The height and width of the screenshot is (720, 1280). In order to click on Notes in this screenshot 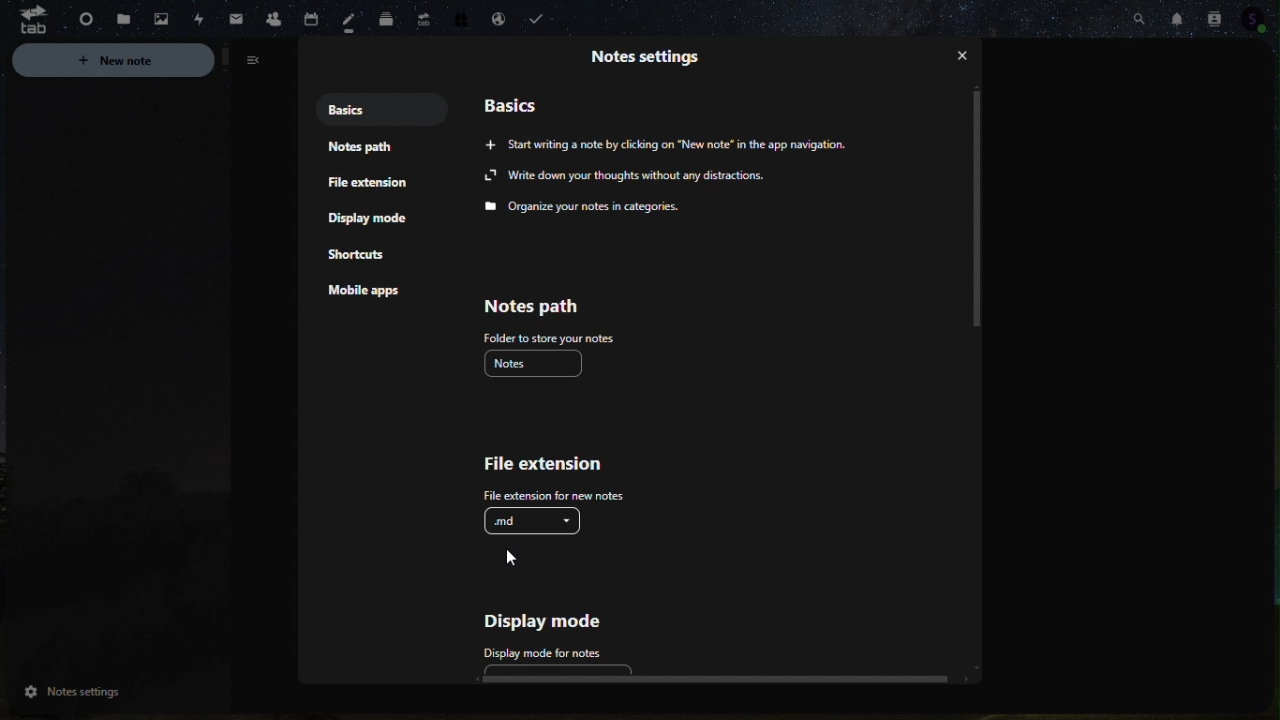, I will do `click(355, 22)`.